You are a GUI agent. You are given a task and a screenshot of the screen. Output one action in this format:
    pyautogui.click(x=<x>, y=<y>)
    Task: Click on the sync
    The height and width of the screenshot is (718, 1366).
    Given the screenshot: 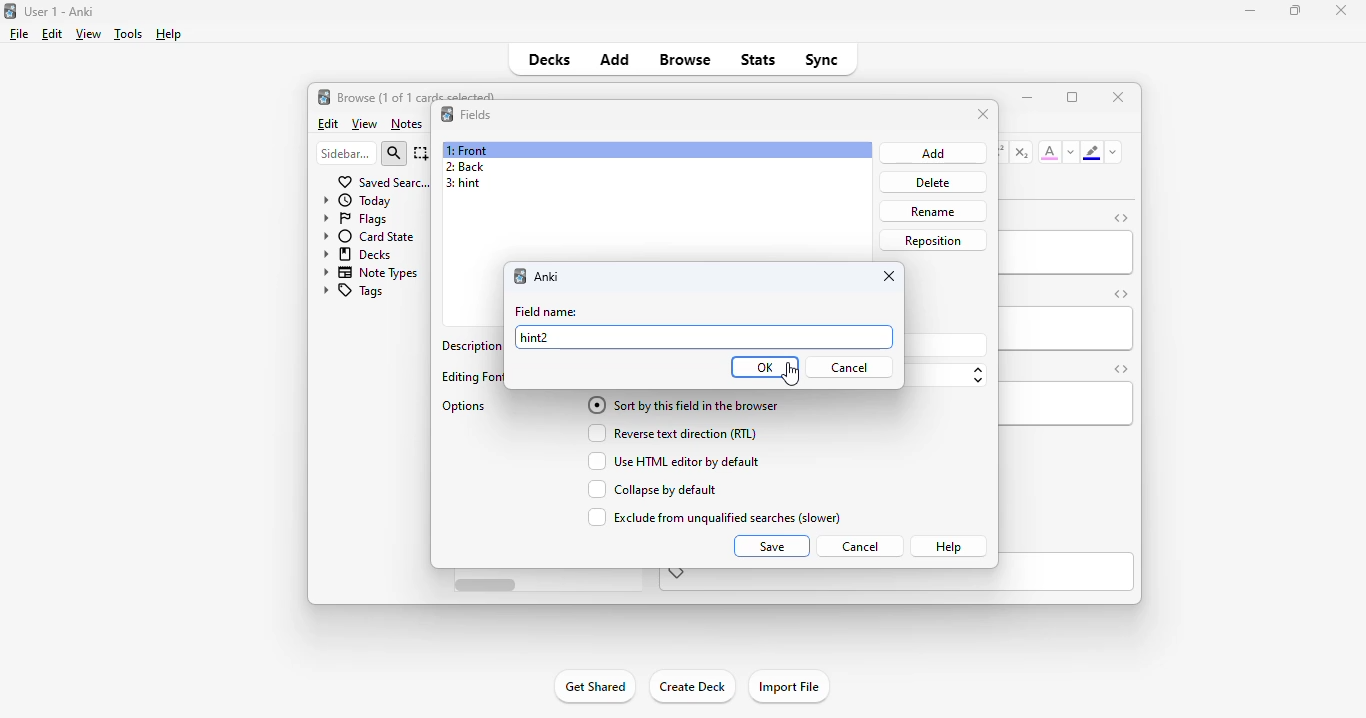 What is the action you would take?
    pyautogui.click(x=820, y=58)
    